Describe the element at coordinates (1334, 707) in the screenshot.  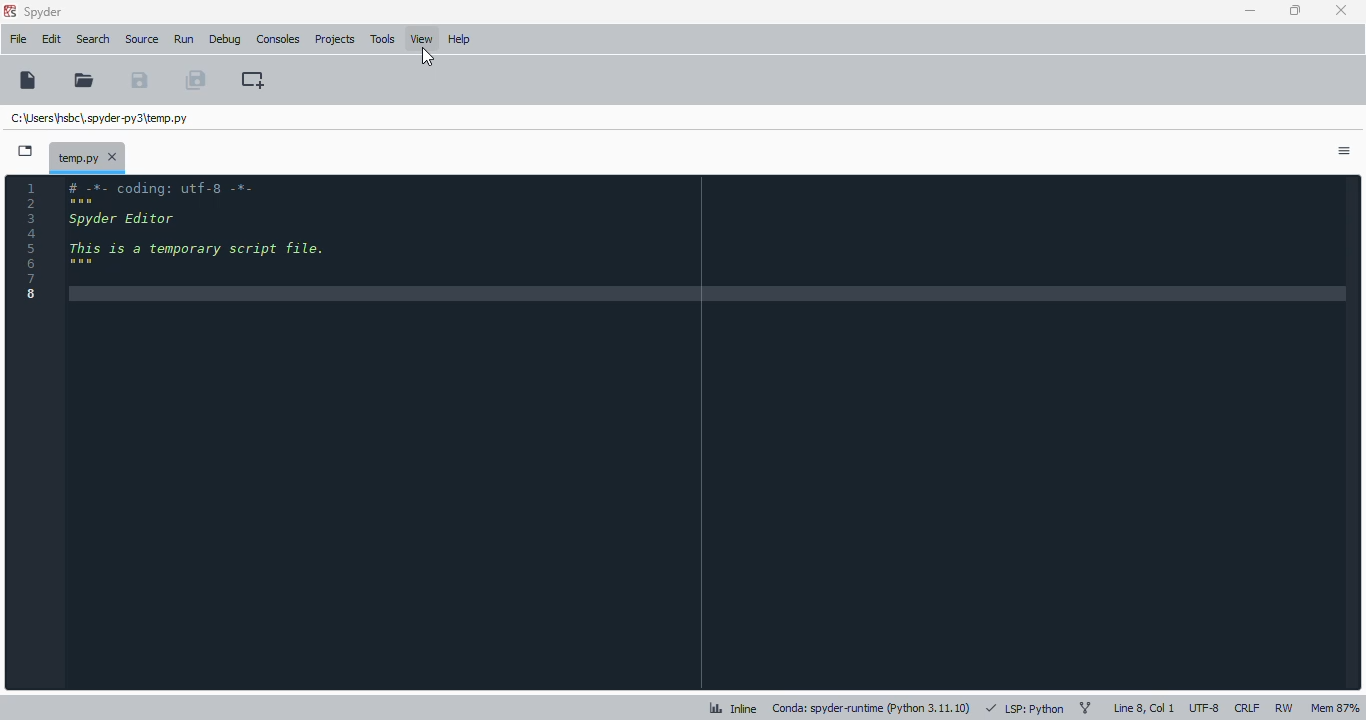
I see `mem 87%` at that location.